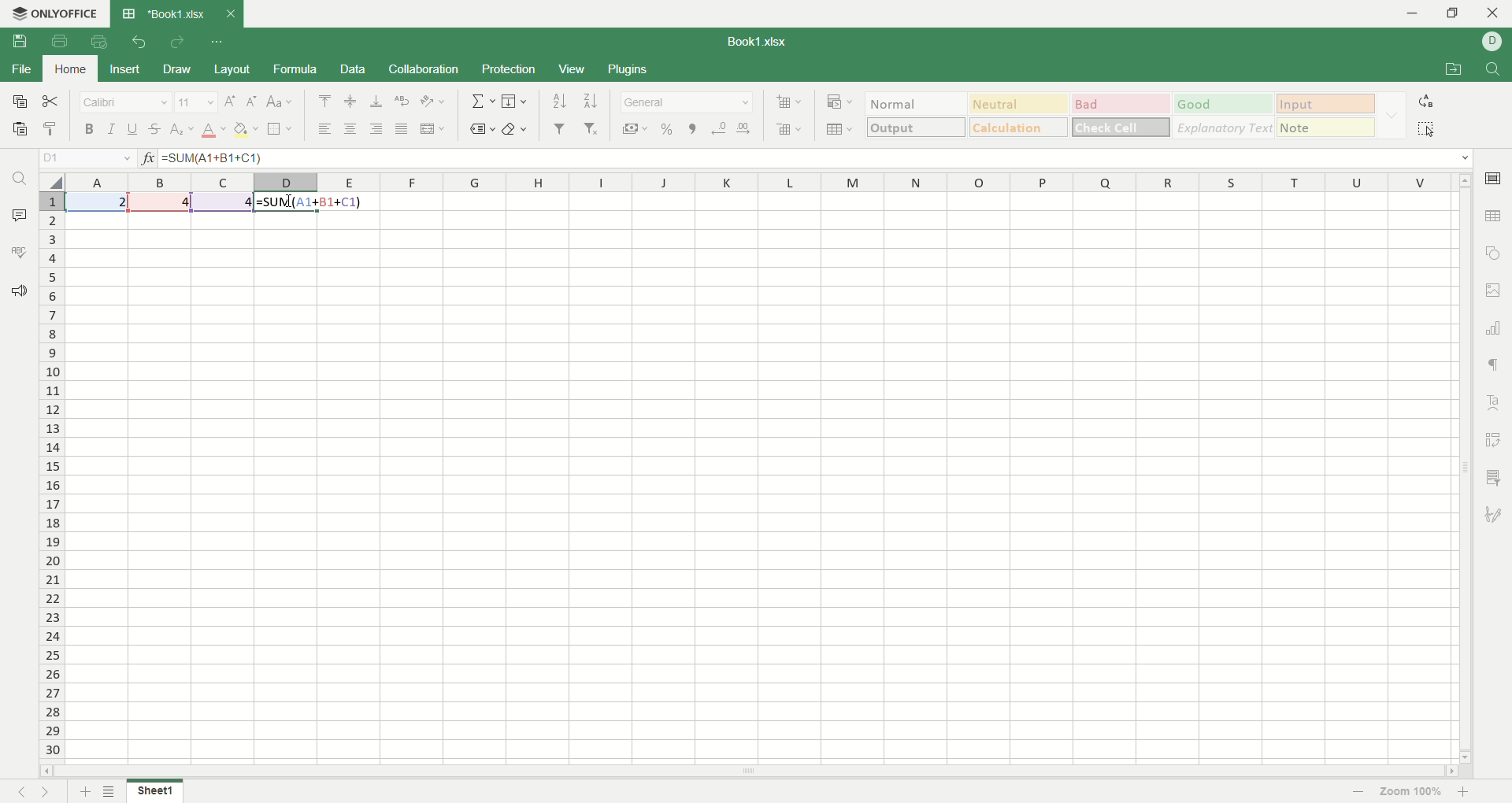 This screenshot has width=1512, height=803. Describe the element at coordinates (400, 130) in the screenshot. I see `justified` at that location.